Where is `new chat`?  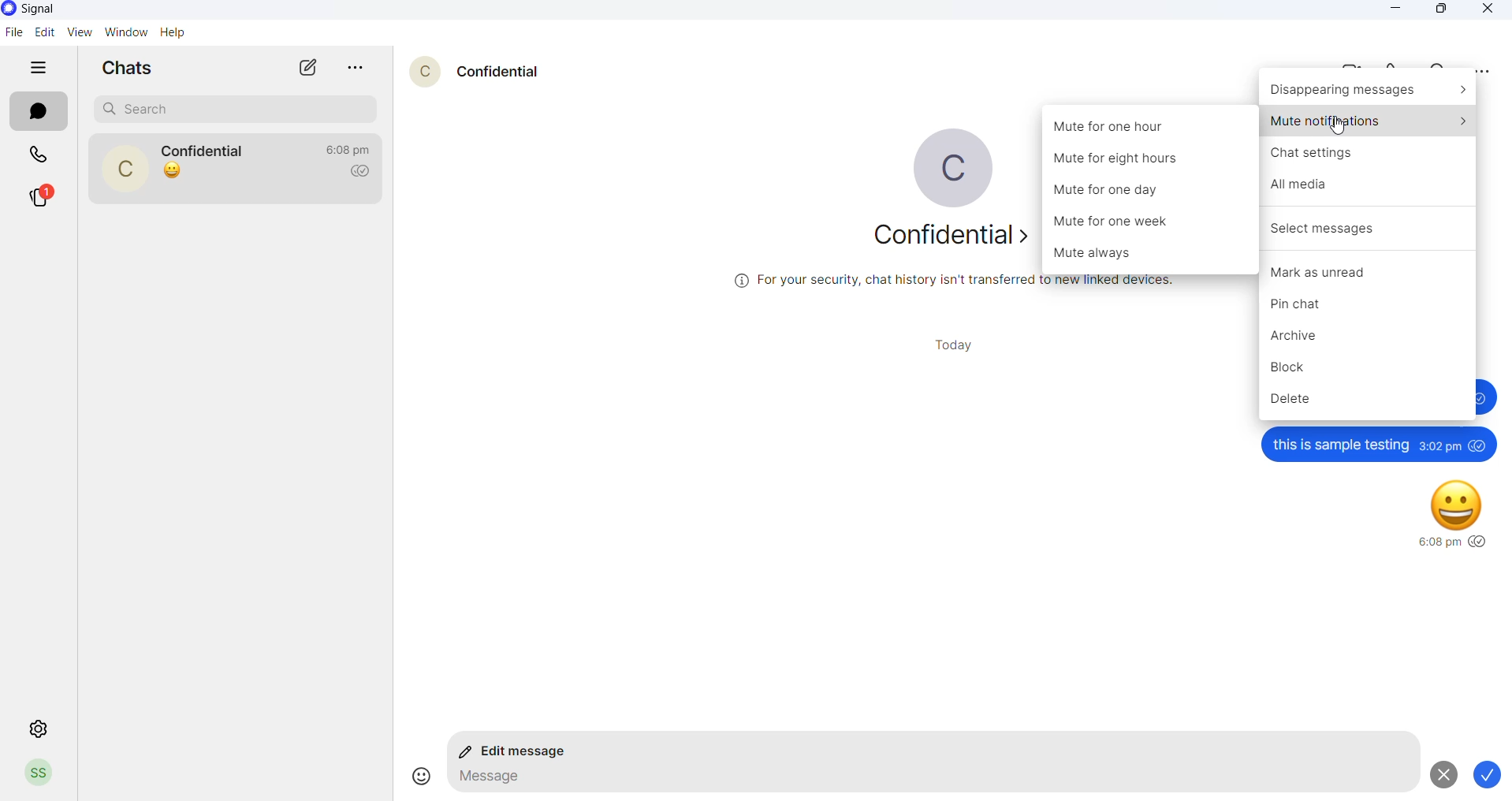 new chat is located at coordinates (308, 67).